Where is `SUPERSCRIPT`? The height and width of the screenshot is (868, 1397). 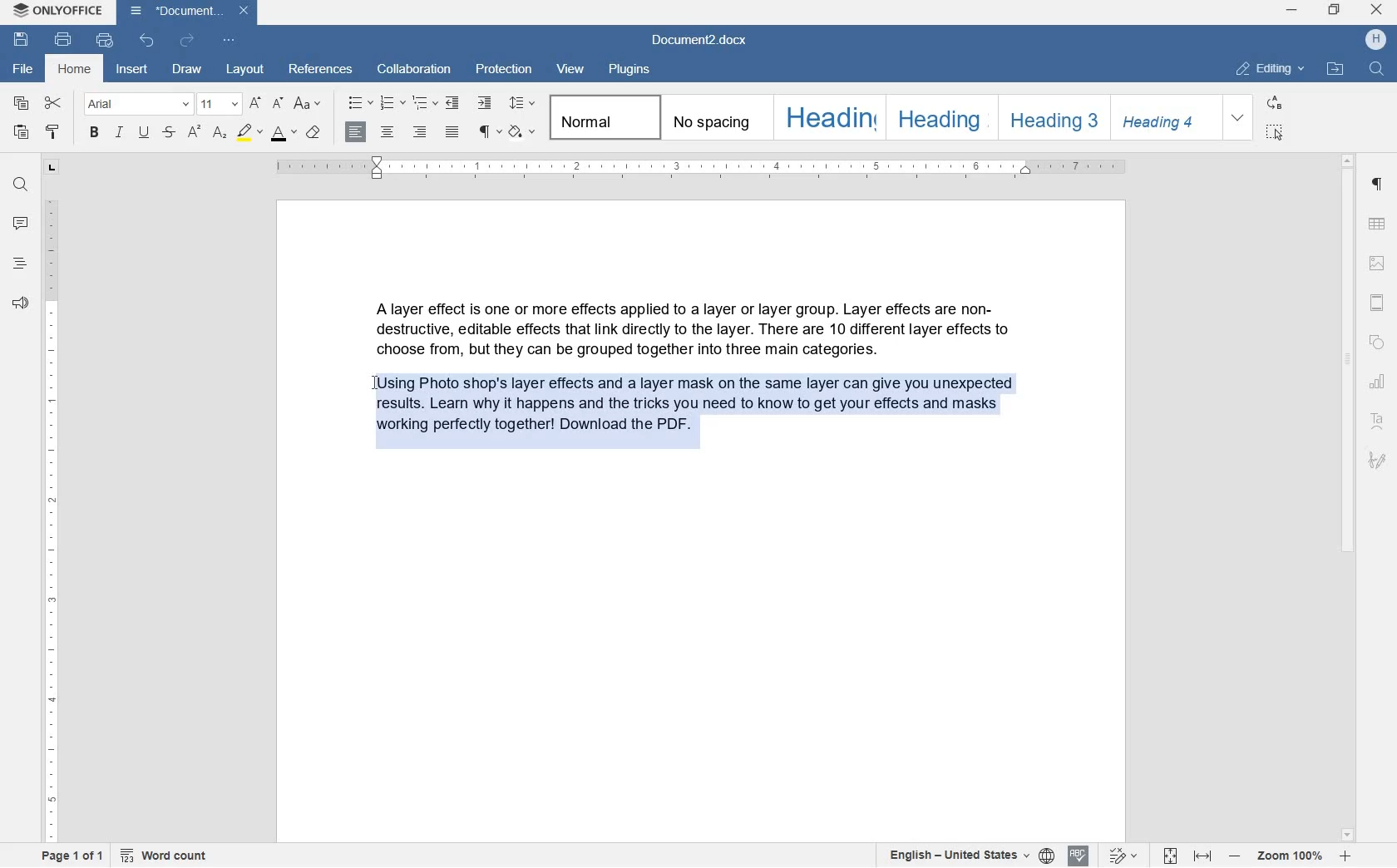 SUPERSCRIPT is located at coordinates (194, 133).